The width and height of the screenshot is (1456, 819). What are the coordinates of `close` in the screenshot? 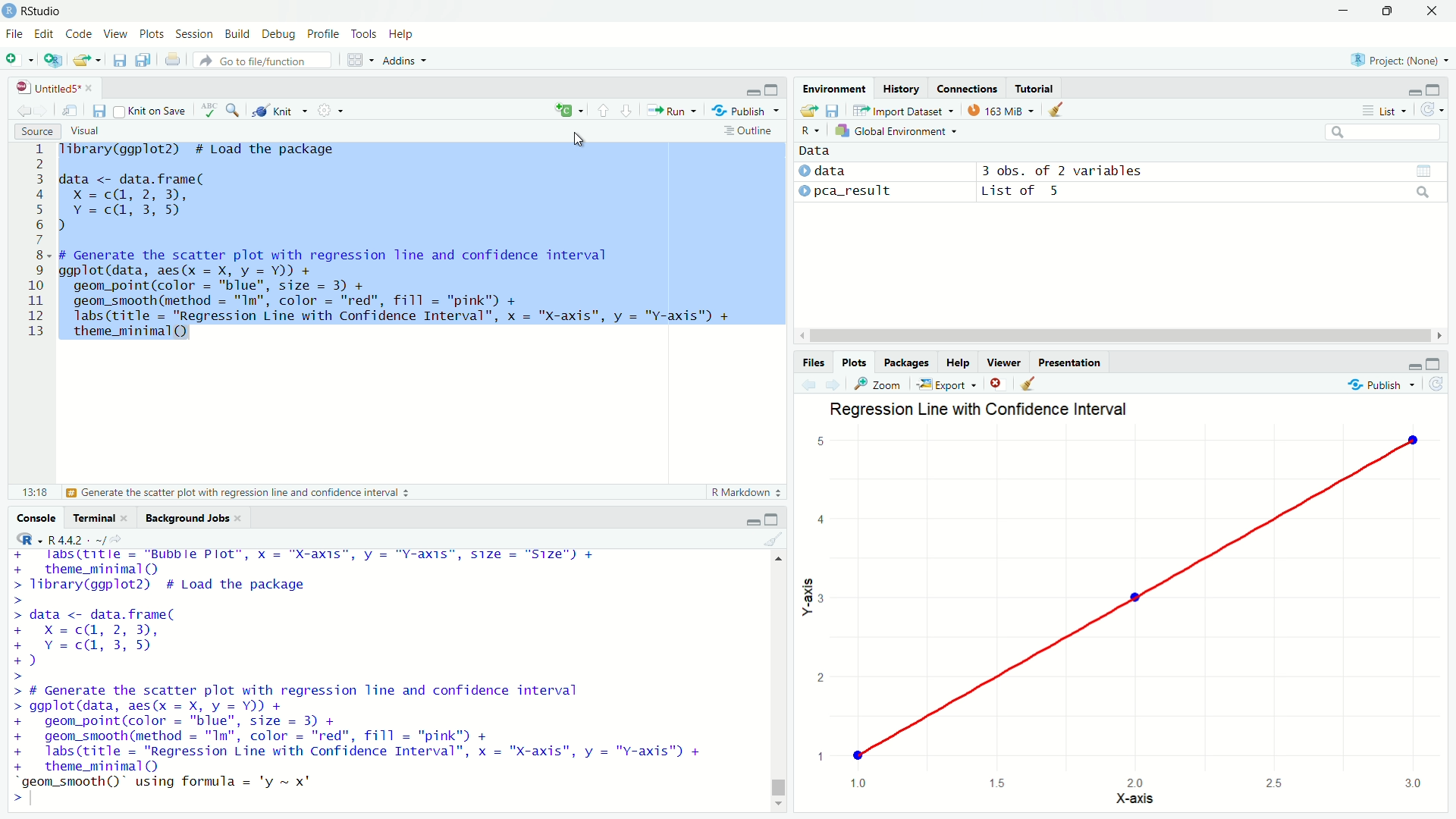 It's located at (127, 519).